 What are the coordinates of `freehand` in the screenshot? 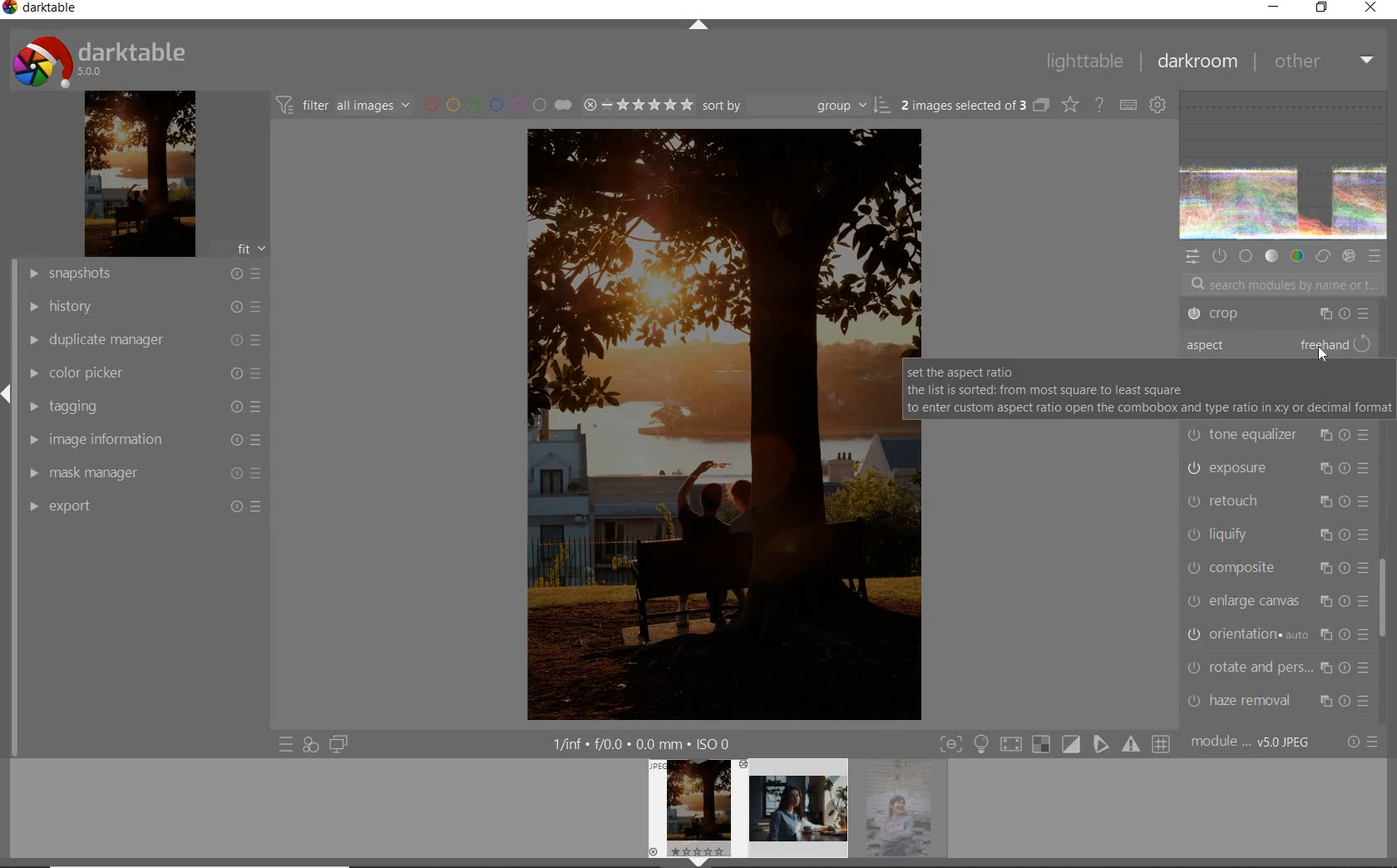 It's located at (1336, 346).